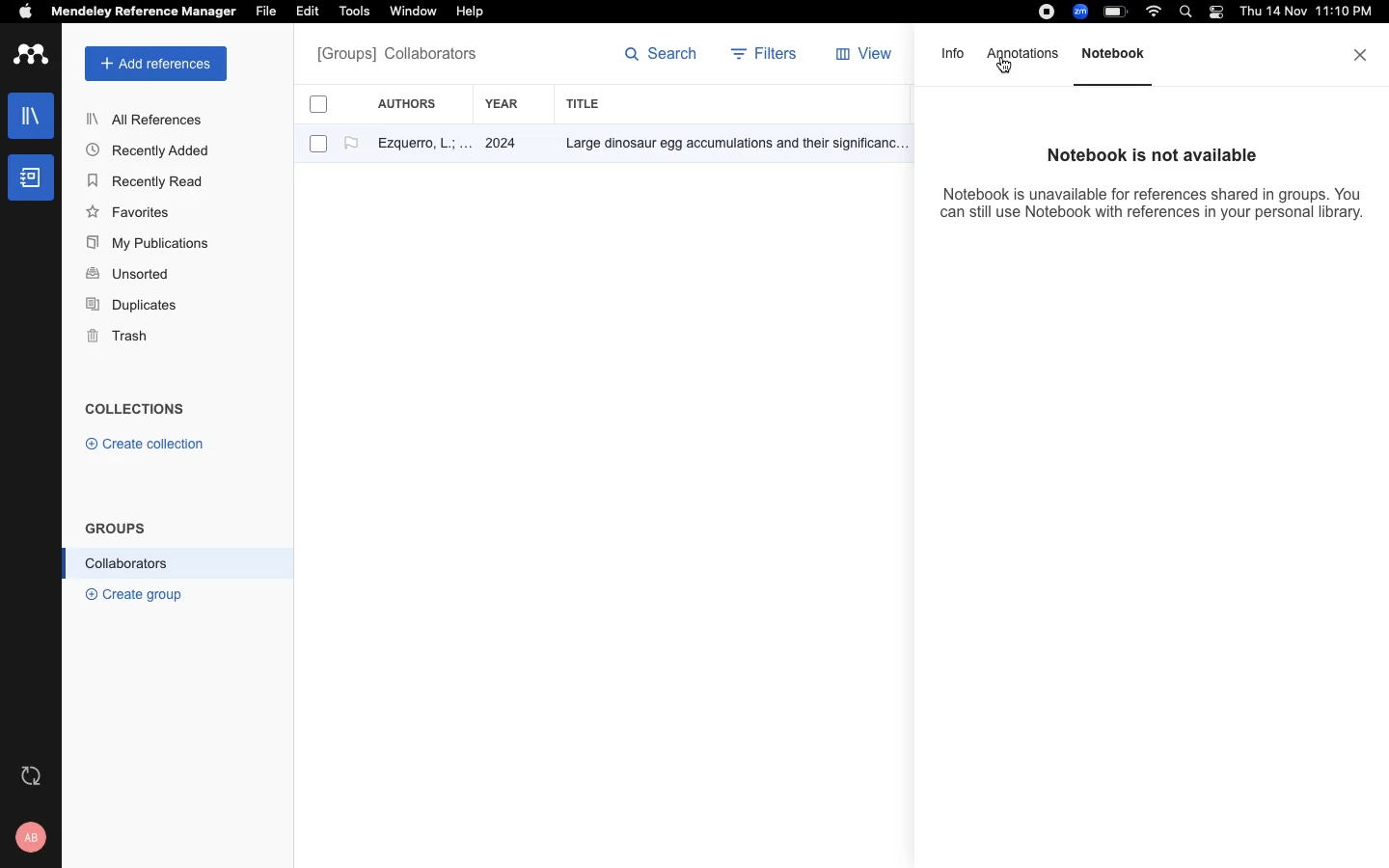 Image resolution: width=1389 pixels, height=868 pixels. I want to click on title, so click(586, 103).